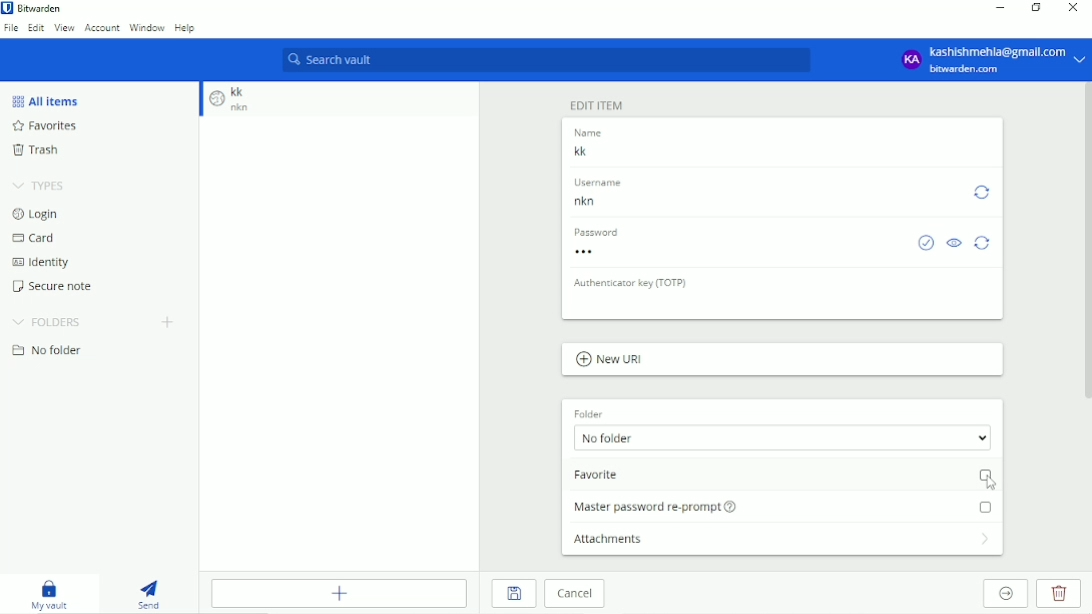  I want to click on entry Name, so click(596, 153).